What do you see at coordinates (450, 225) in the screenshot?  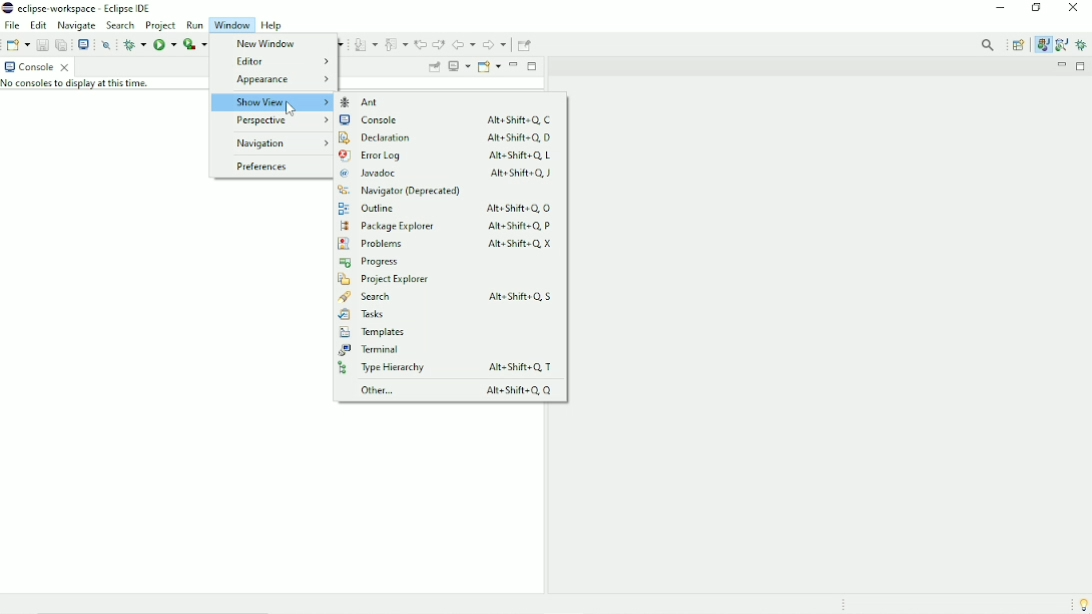 I see `Package Explorer` at bounding box center [450, 225].